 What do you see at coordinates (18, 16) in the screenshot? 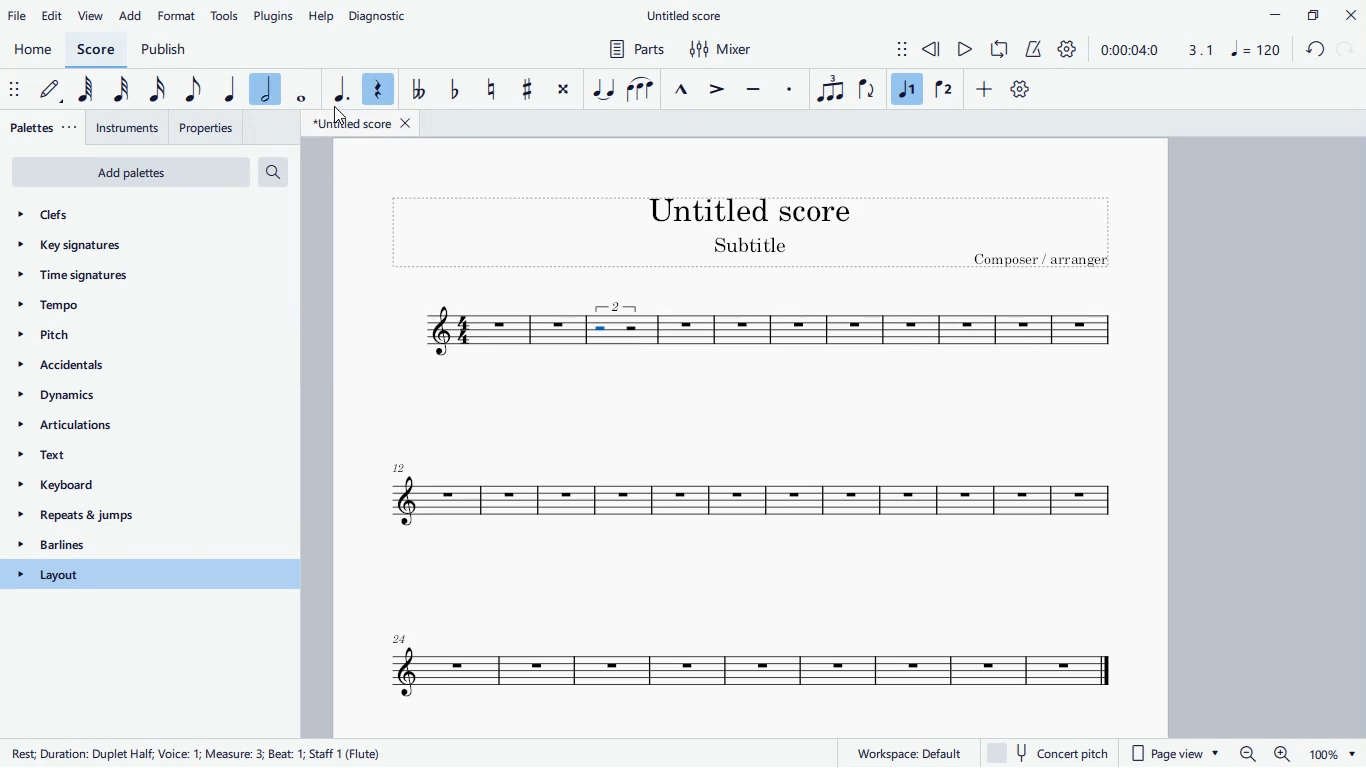
I see `file` at bounding box center [18, 16].